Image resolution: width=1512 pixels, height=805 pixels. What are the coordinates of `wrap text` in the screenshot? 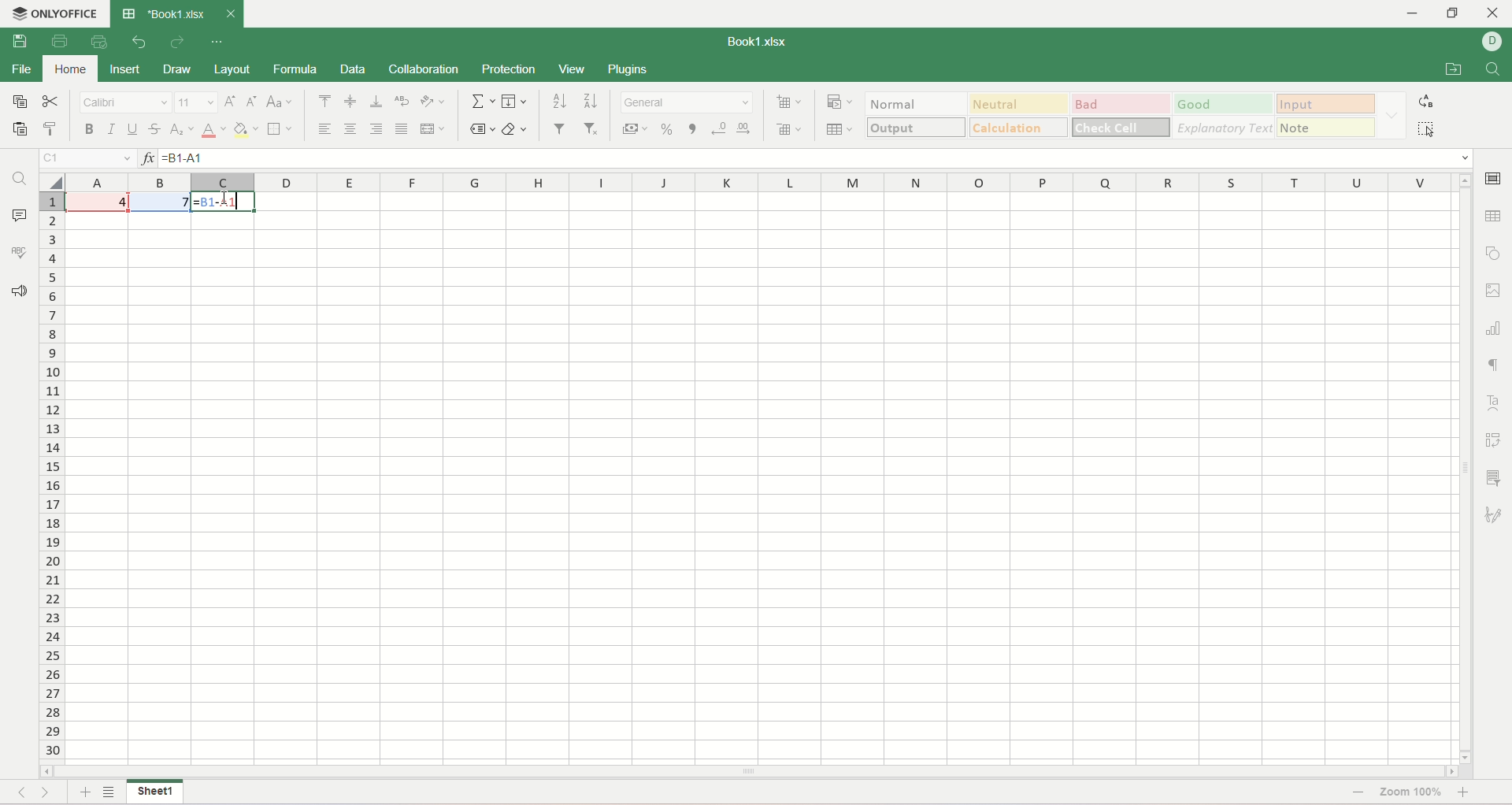 It's located at (401, 102).